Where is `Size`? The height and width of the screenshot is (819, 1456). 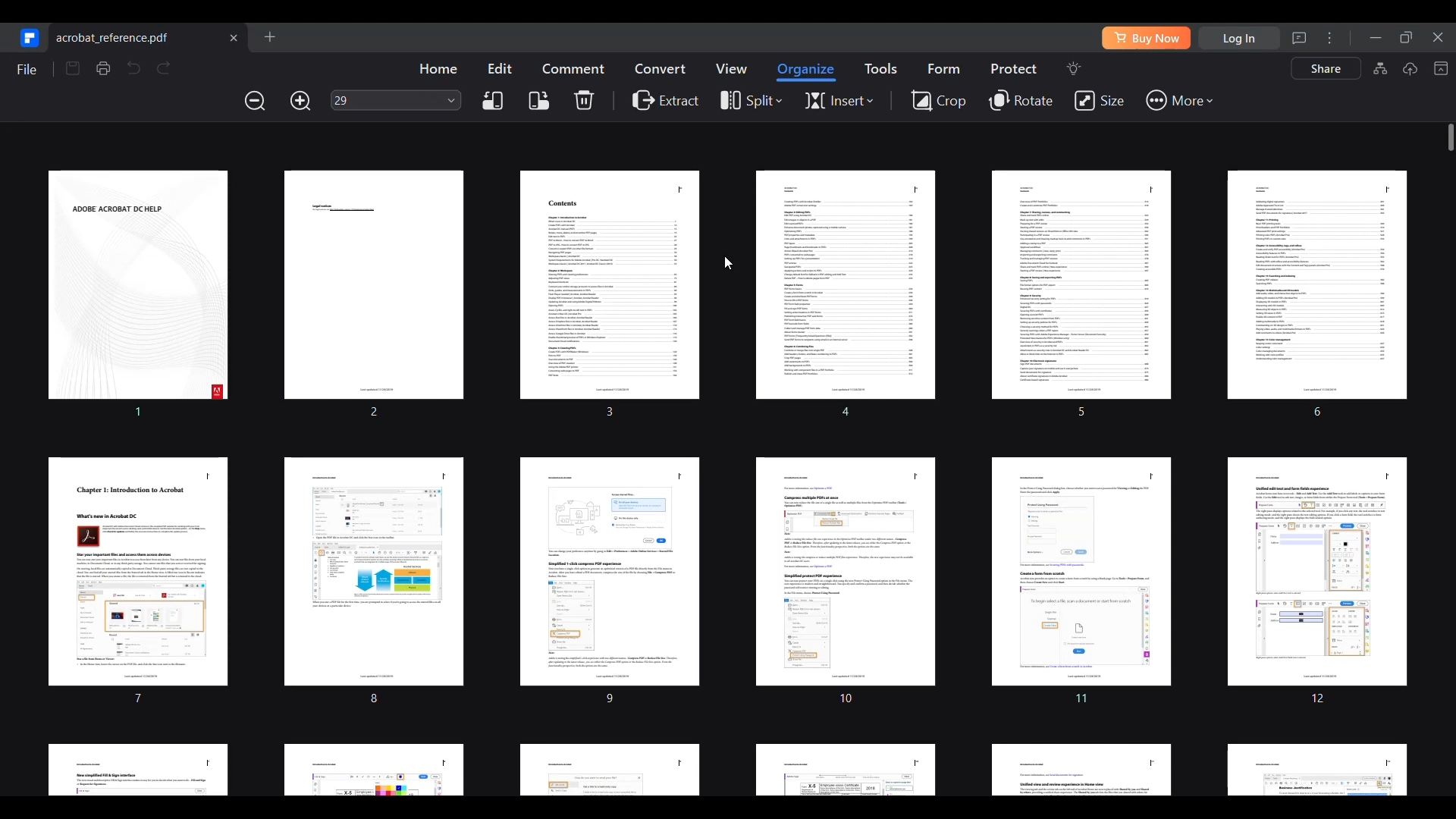 Size is located at coordinates (1099, 101).